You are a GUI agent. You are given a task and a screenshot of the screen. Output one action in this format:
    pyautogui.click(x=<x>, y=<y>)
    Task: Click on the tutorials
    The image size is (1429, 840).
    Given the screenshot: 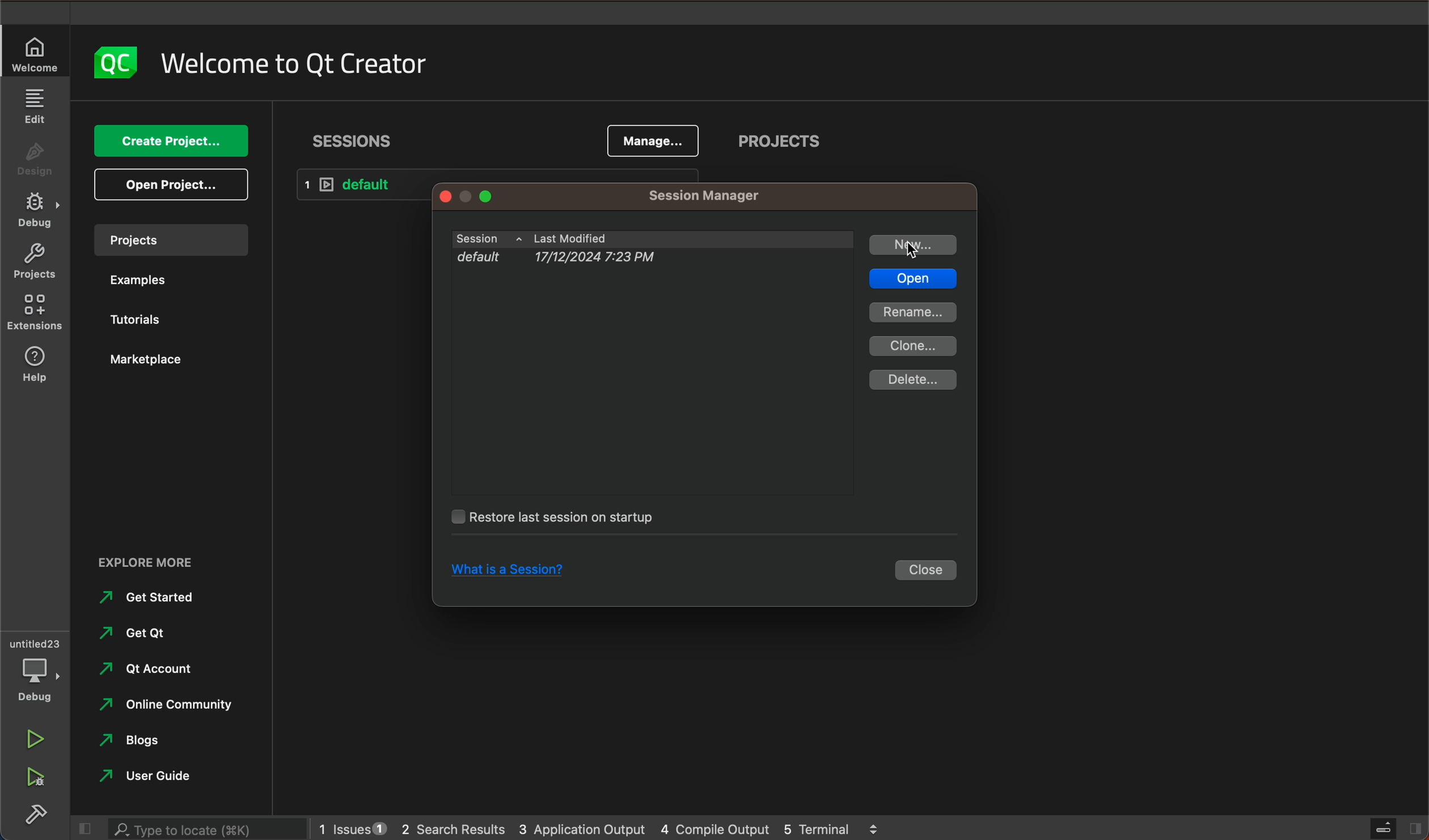 What is the action you would take?
    pyautogui.click(x=142, y=322)
    